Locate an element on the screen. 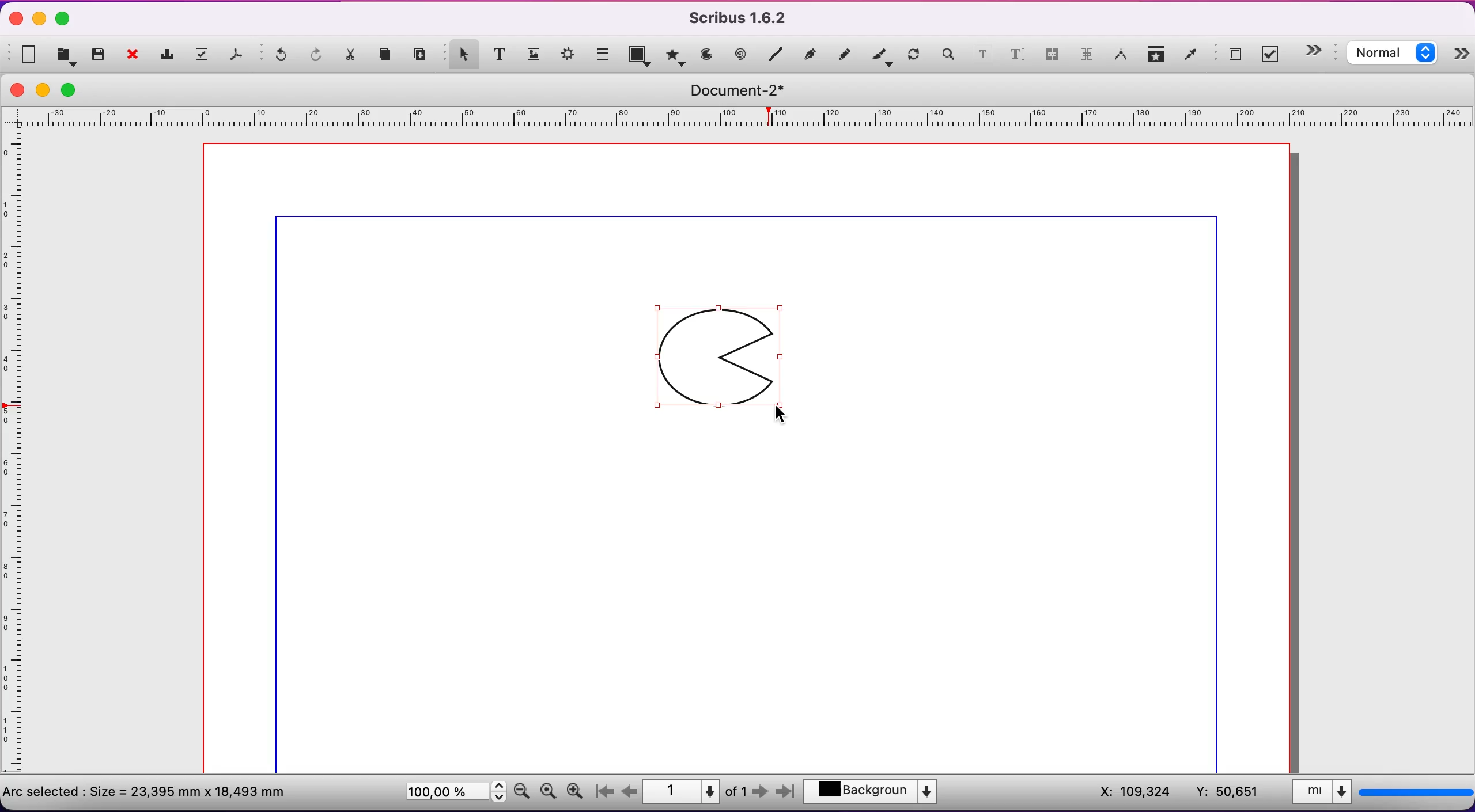 The height and width of the screenshot is (812, 1475). open is located at coordinates (68, 55).